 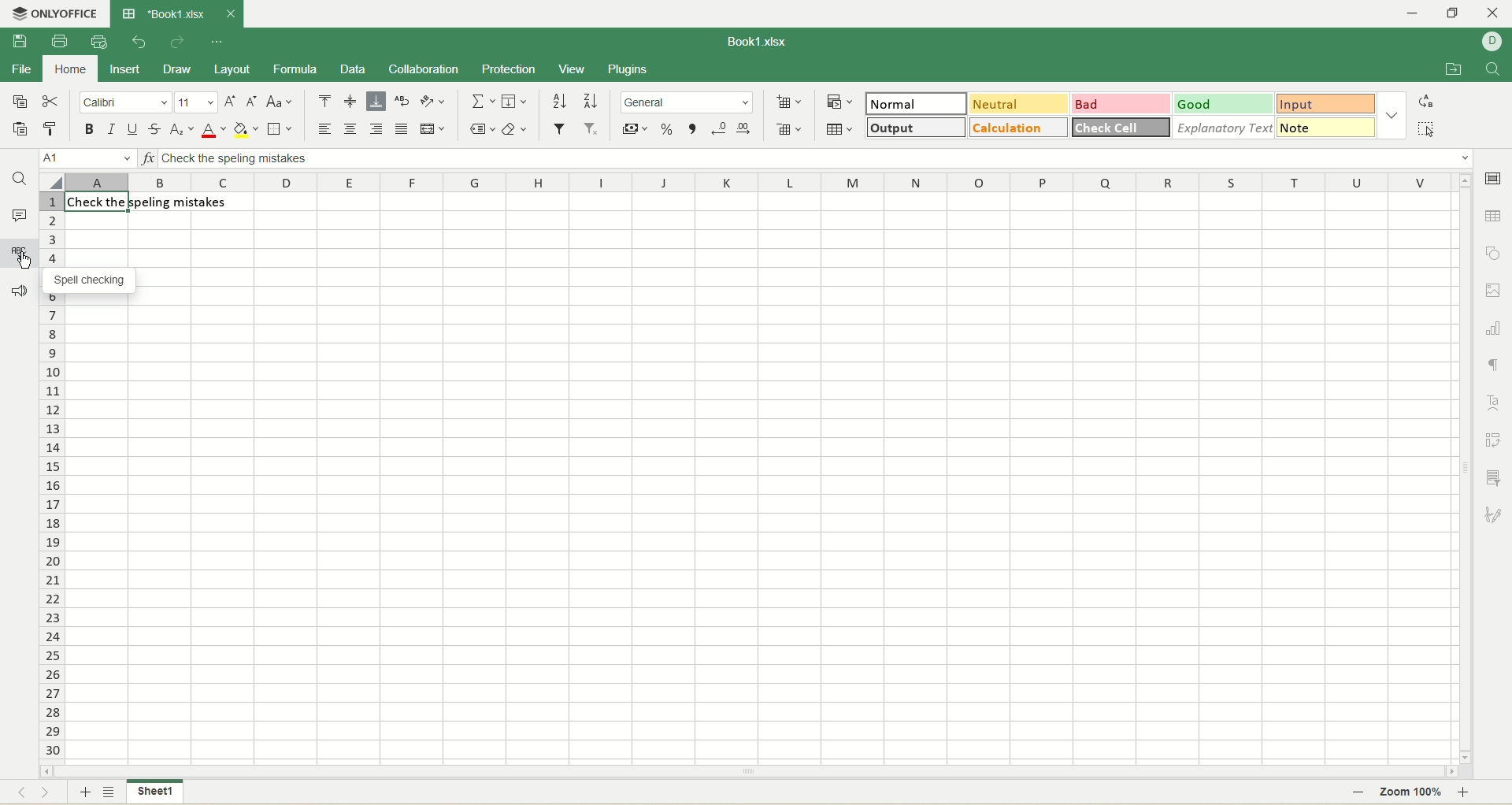 What do you see at coordinates (1121, 103) in the screenshot?
I see `bad` at bounding box center [1121, 103].